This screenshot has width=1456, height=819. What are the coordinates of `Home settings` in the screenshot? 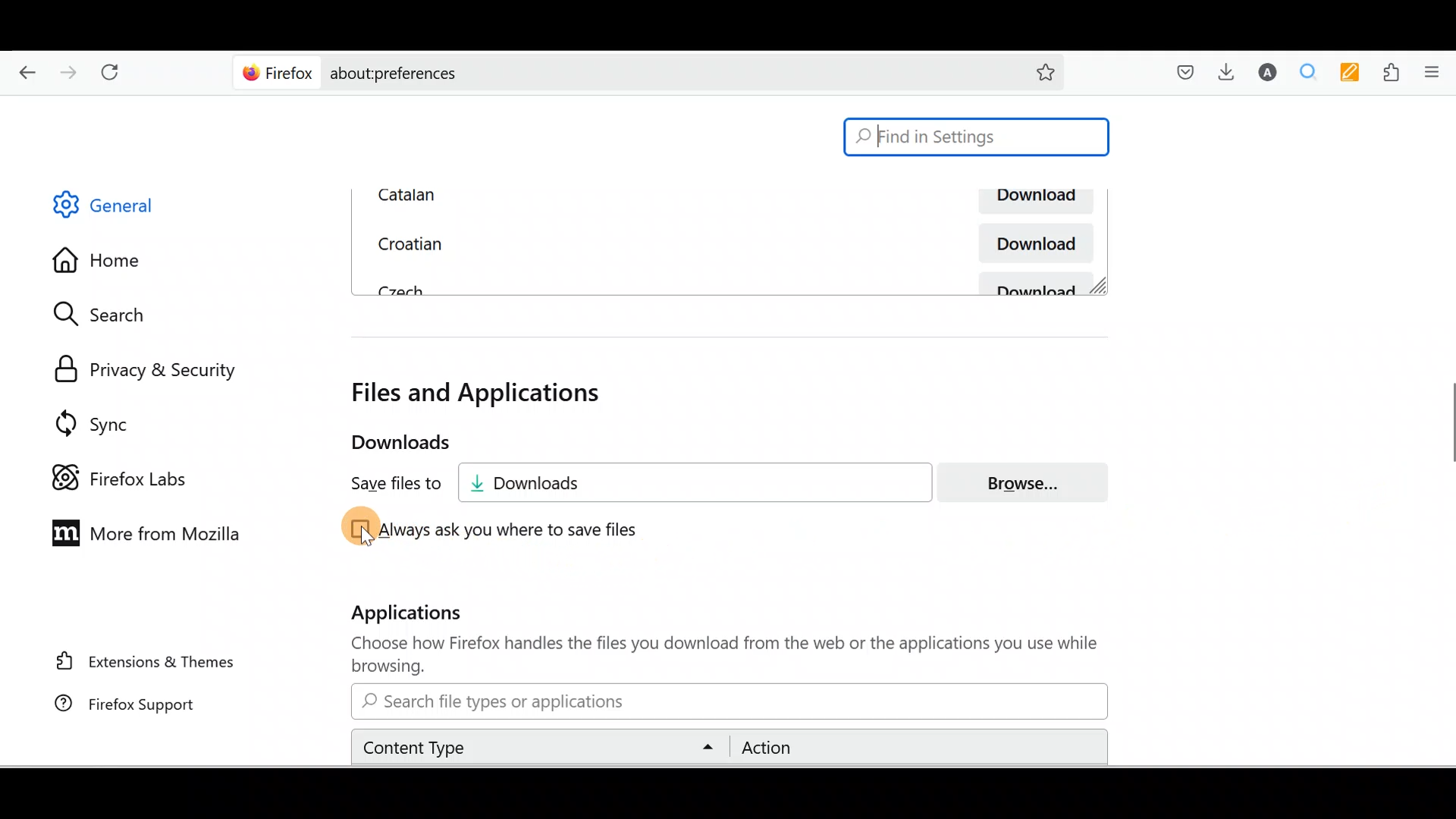 It's located at (98, 258).